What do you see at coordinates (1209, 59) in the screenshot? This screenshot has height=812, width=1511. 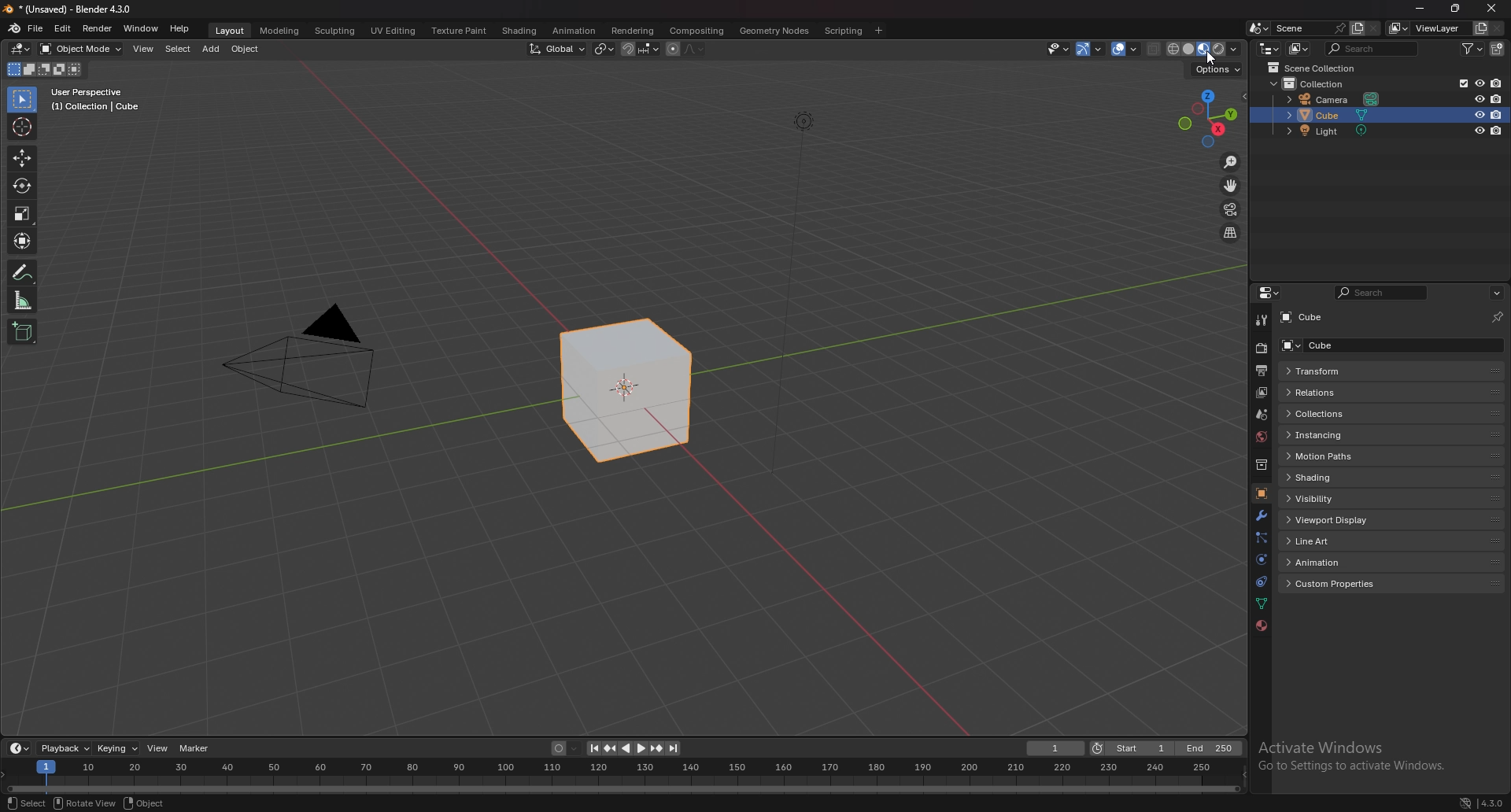 I see `cursor` at bounding box center [1209, 59].